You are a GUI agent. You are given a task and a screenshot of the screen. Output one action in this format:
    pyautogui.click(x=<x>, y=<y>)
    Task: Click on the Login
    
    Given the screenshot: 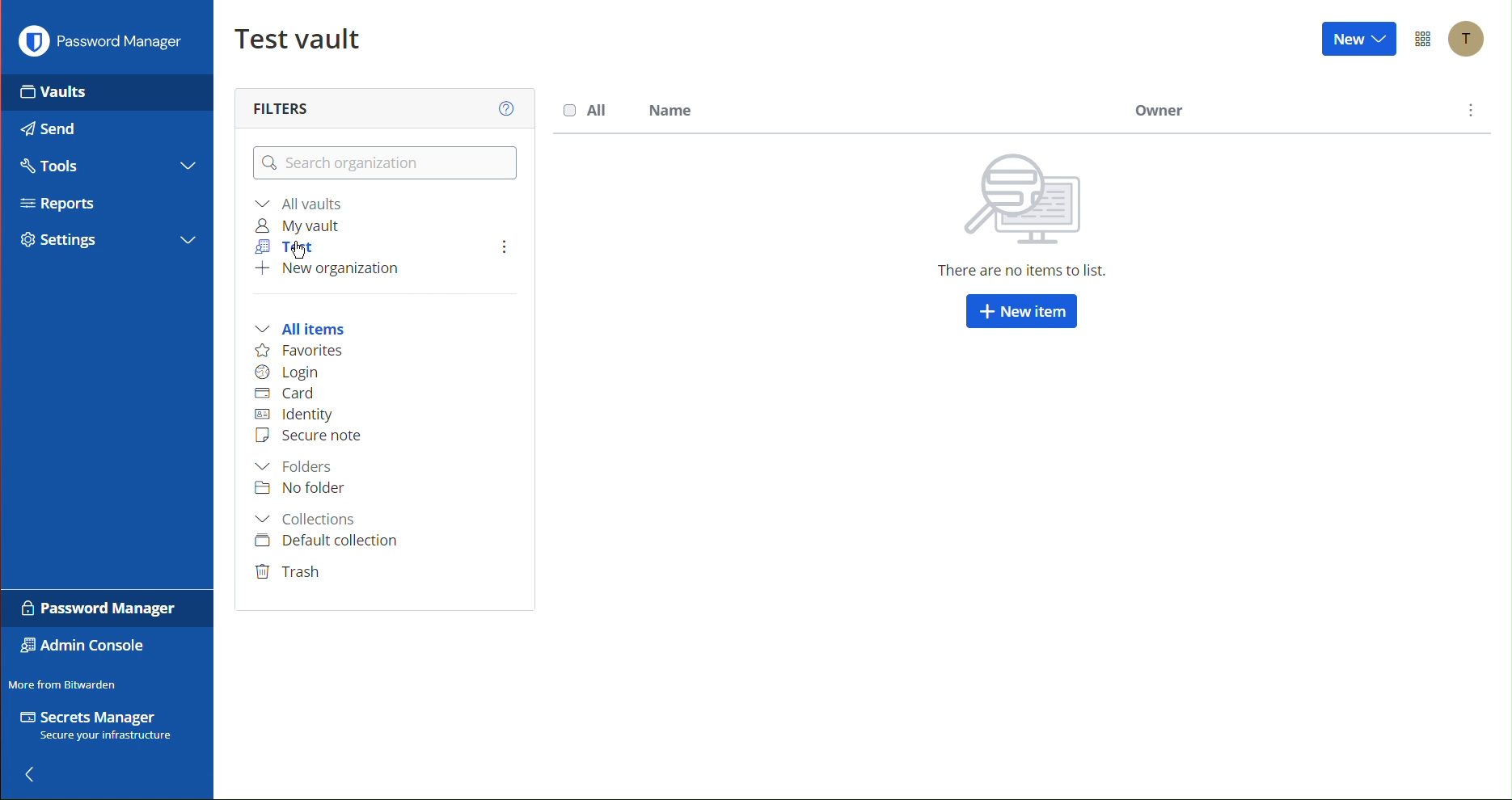 What is the action you would take?
    pyautogui.click(x=289, y=372)
    